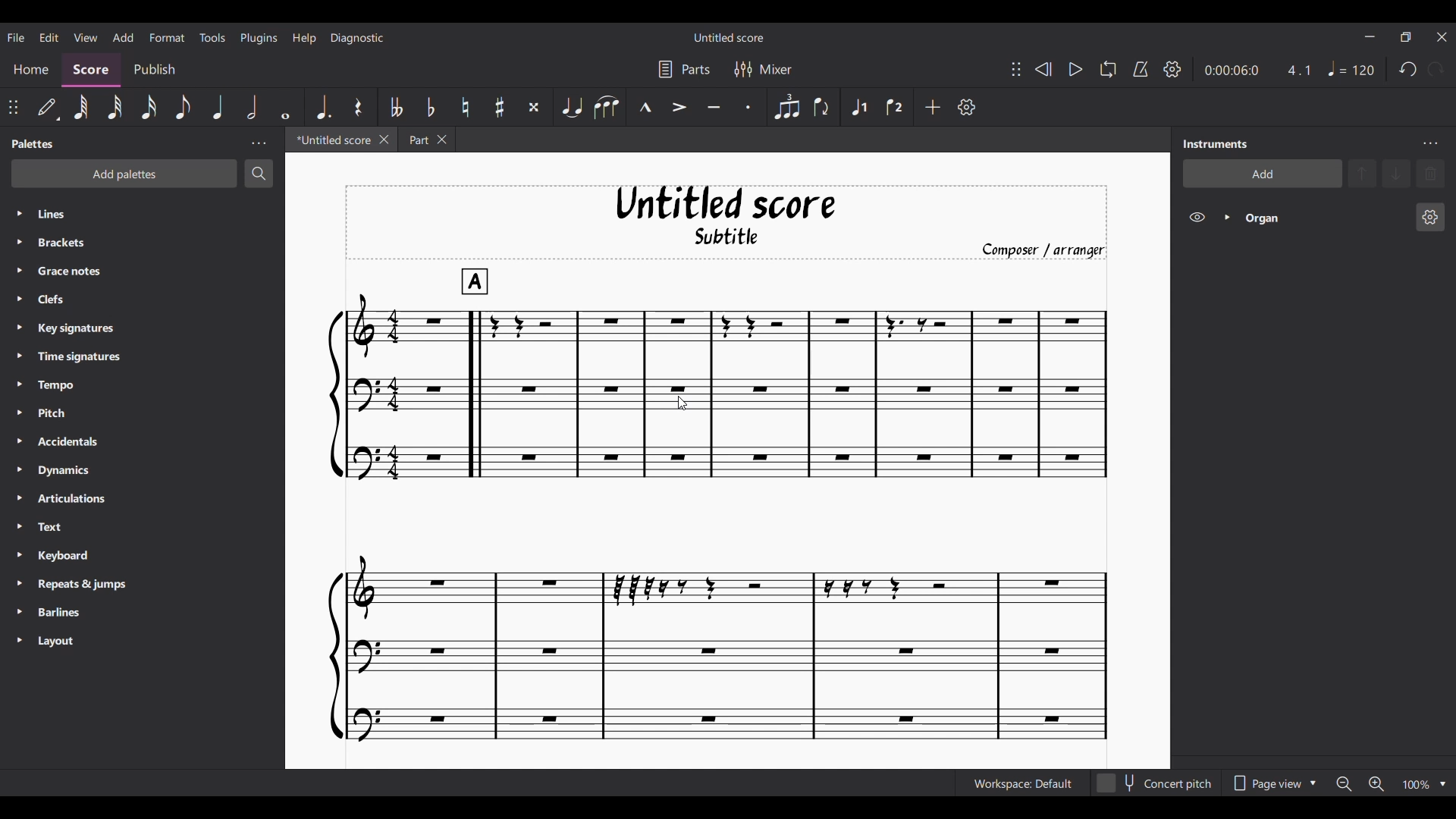  What do you see at coordinates (466, 107) in the screenshot?
I see `Toggle natural` at bounding box center [466, 107].